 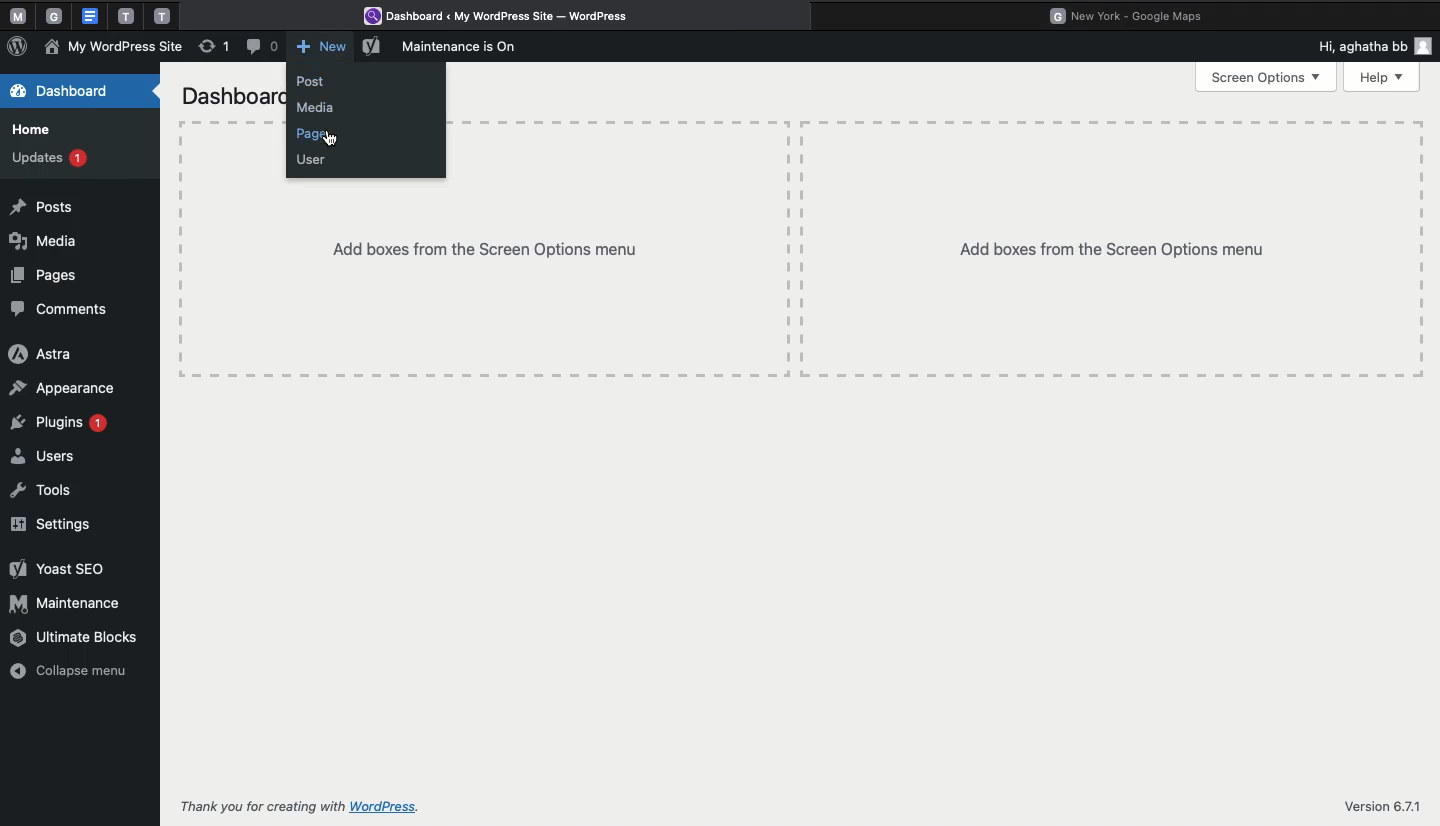 I want to click on Screen options, so click(x=1266, y=78).